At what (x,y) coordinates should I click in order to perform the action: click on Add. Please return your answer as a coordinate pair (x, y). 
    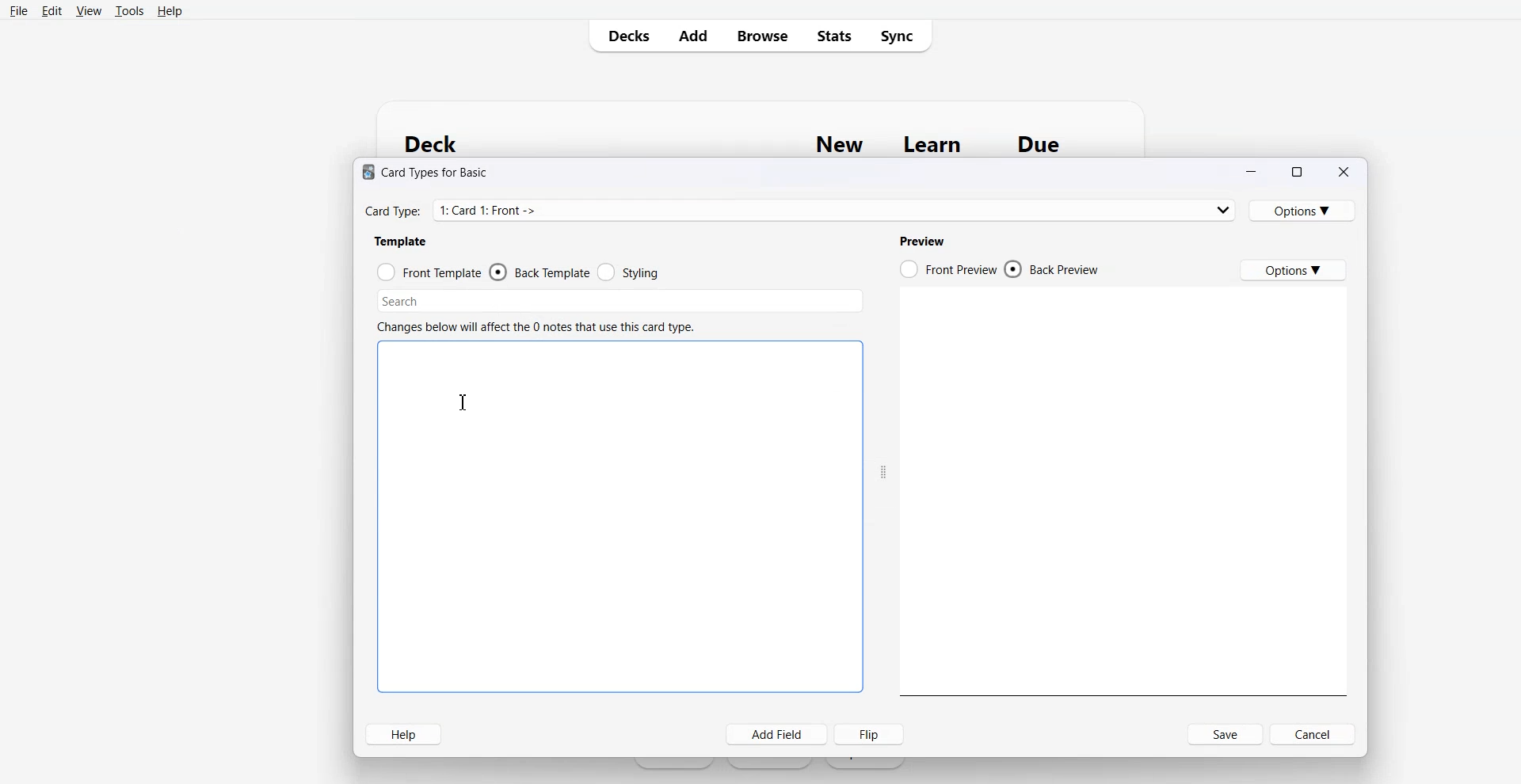
    Looking at the image, I should click on (692, 35).